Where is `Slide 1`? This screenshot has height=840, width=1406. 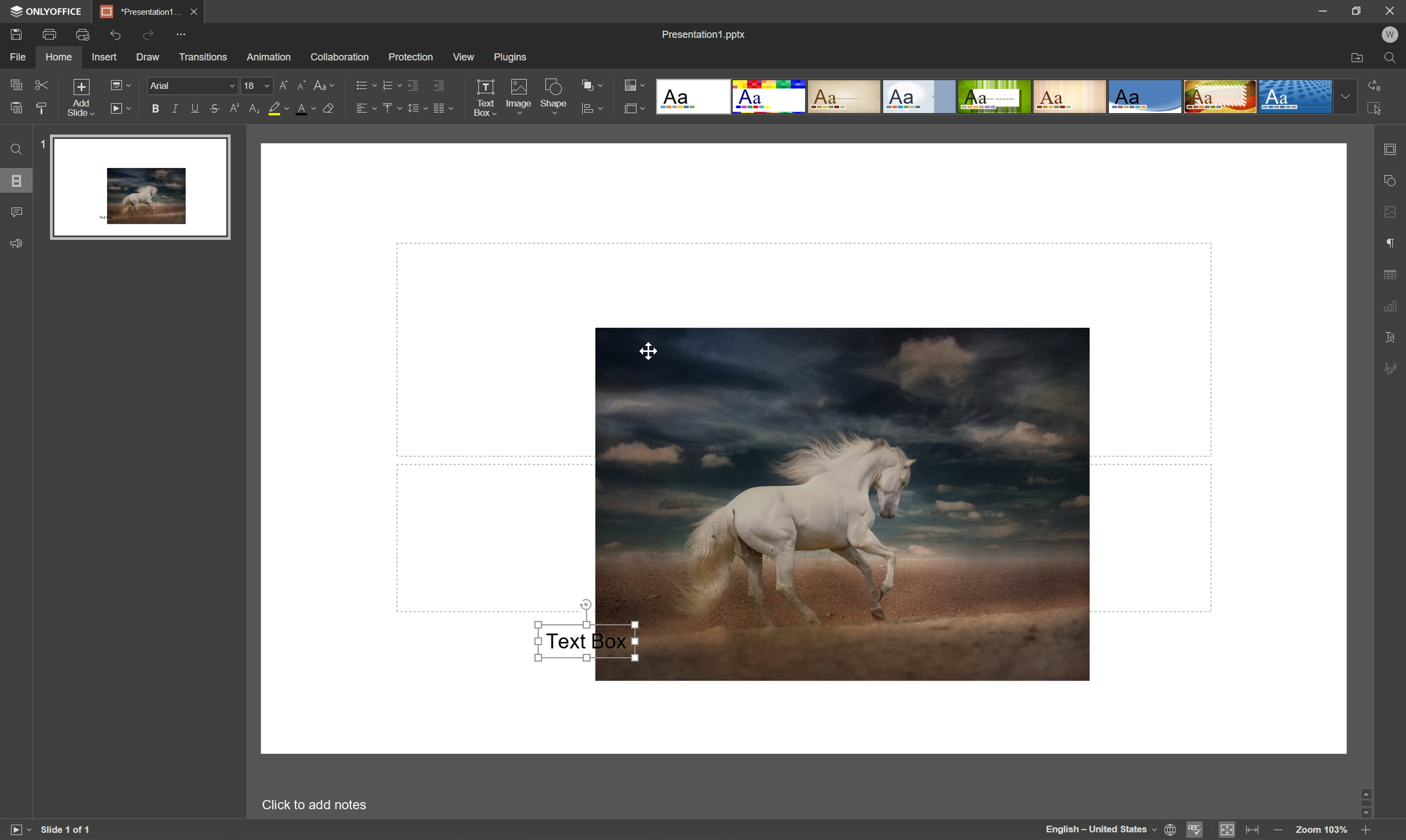
Slide 1 is located at coordinates (132, 186).